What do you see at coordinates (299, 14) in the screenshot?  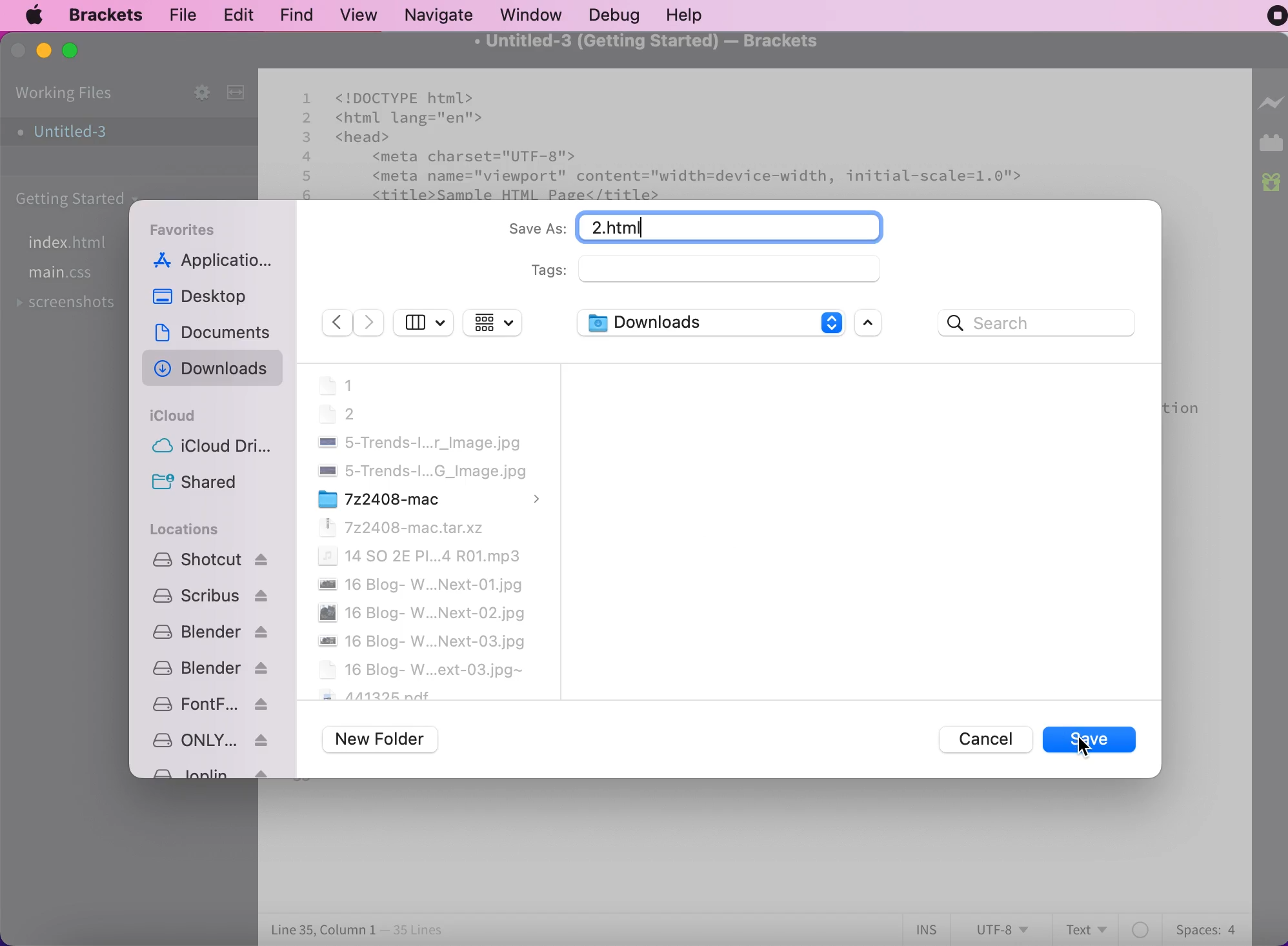 I see `find` at bounding box center [299, 14].